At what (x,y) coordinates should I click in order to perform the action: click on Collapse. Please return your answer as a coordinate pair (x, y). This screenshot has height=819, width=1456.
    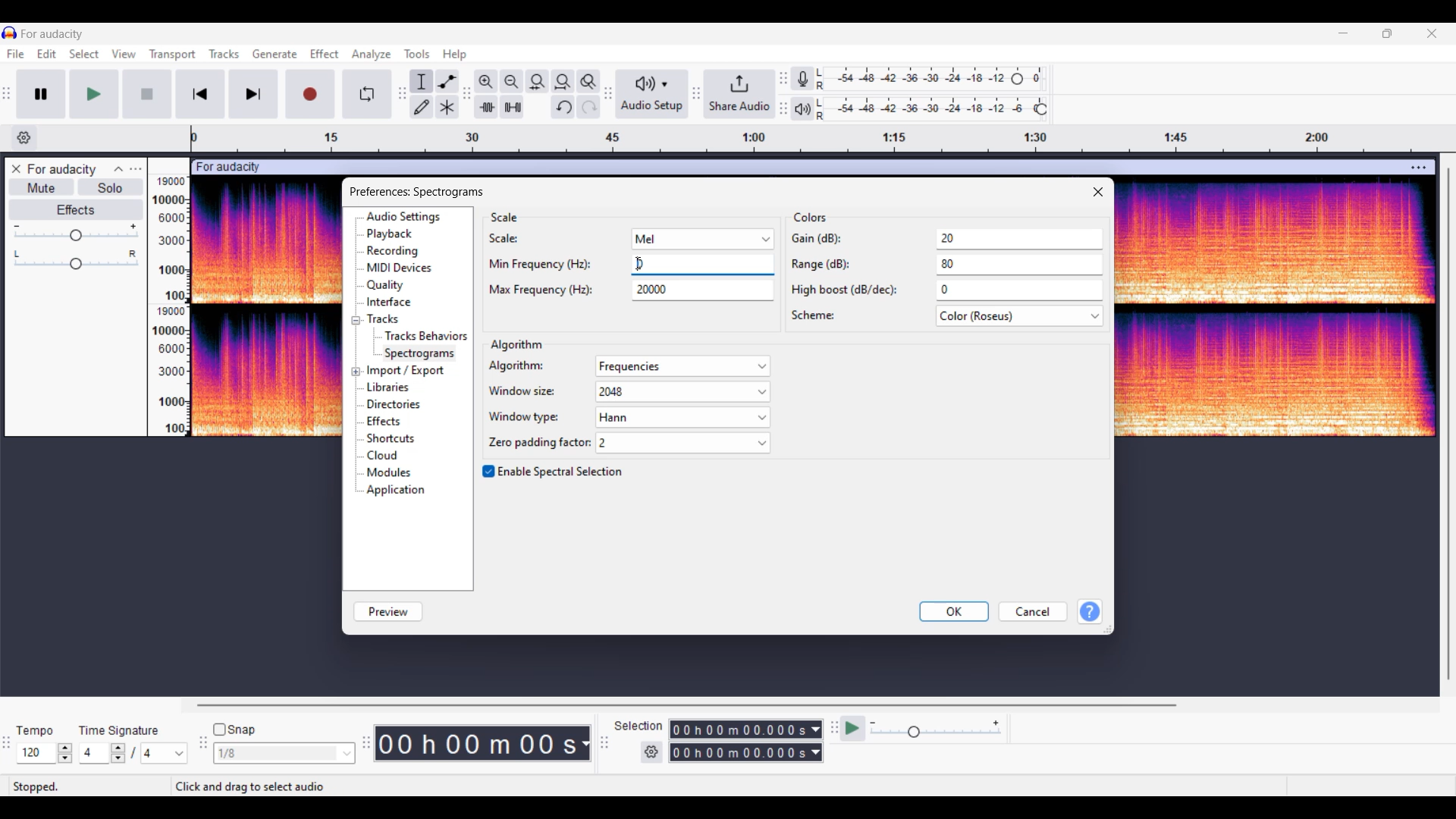
    Looking at the image, I should click on (118, 169).